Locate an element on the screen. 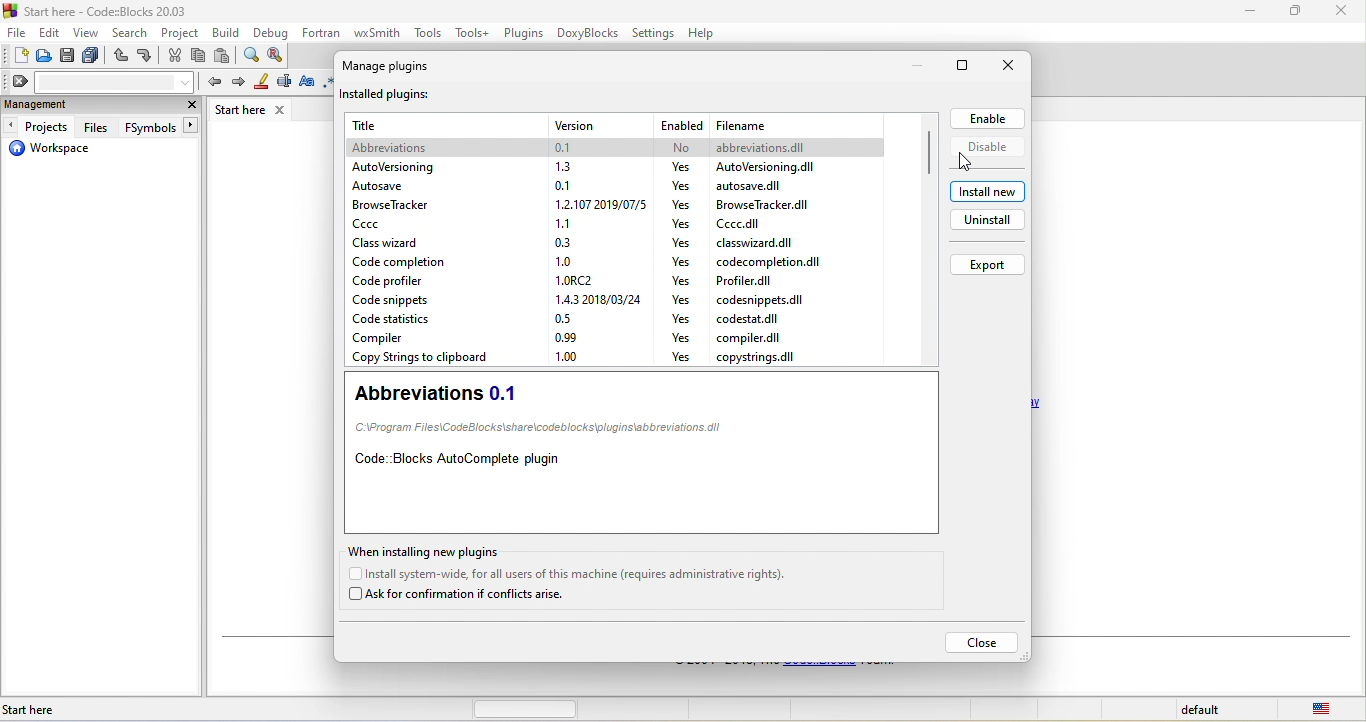  yes is located at coordinates (680, 262).